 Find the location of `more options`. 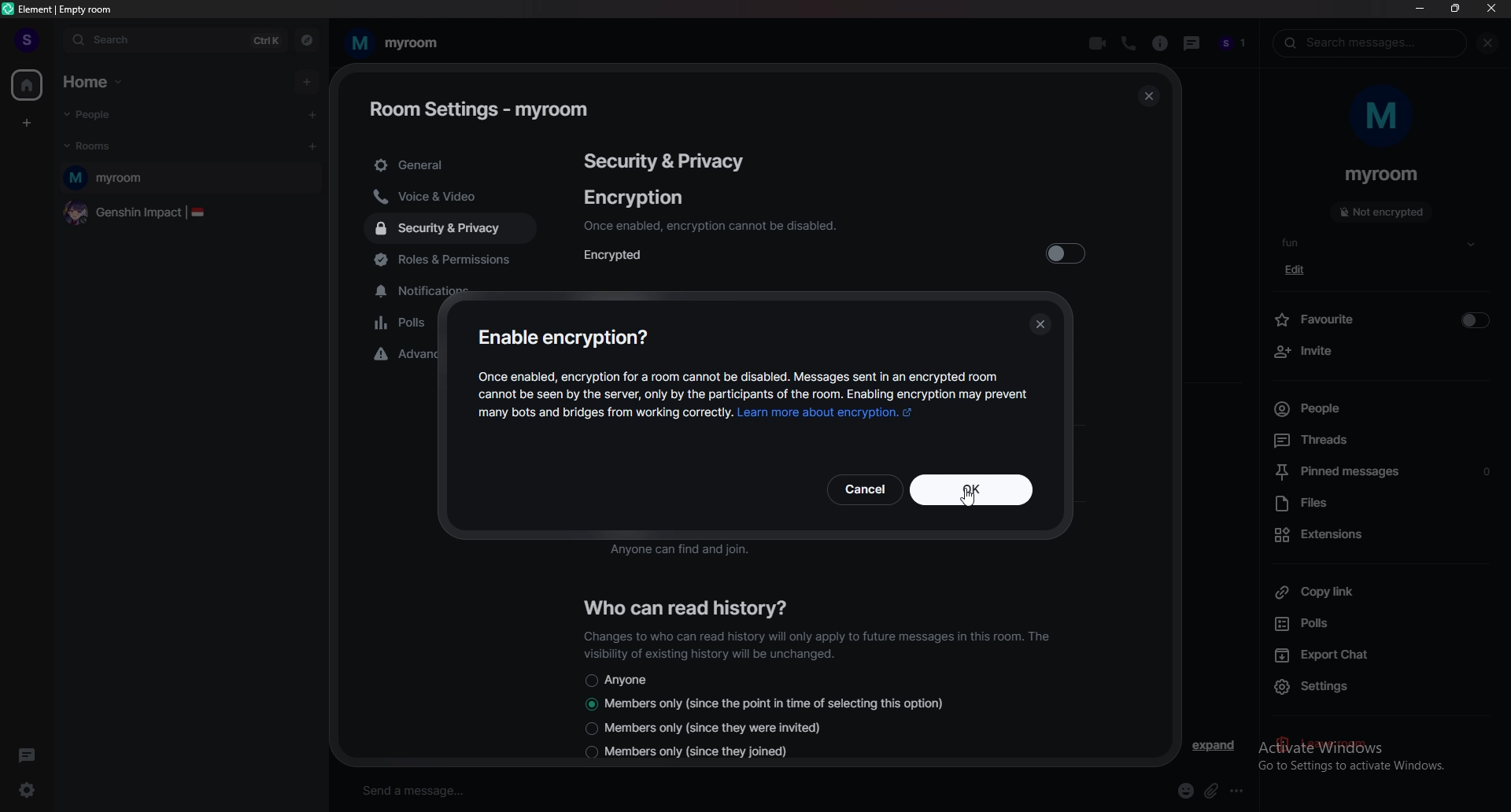

more options is located at coordinates (1242, 790).